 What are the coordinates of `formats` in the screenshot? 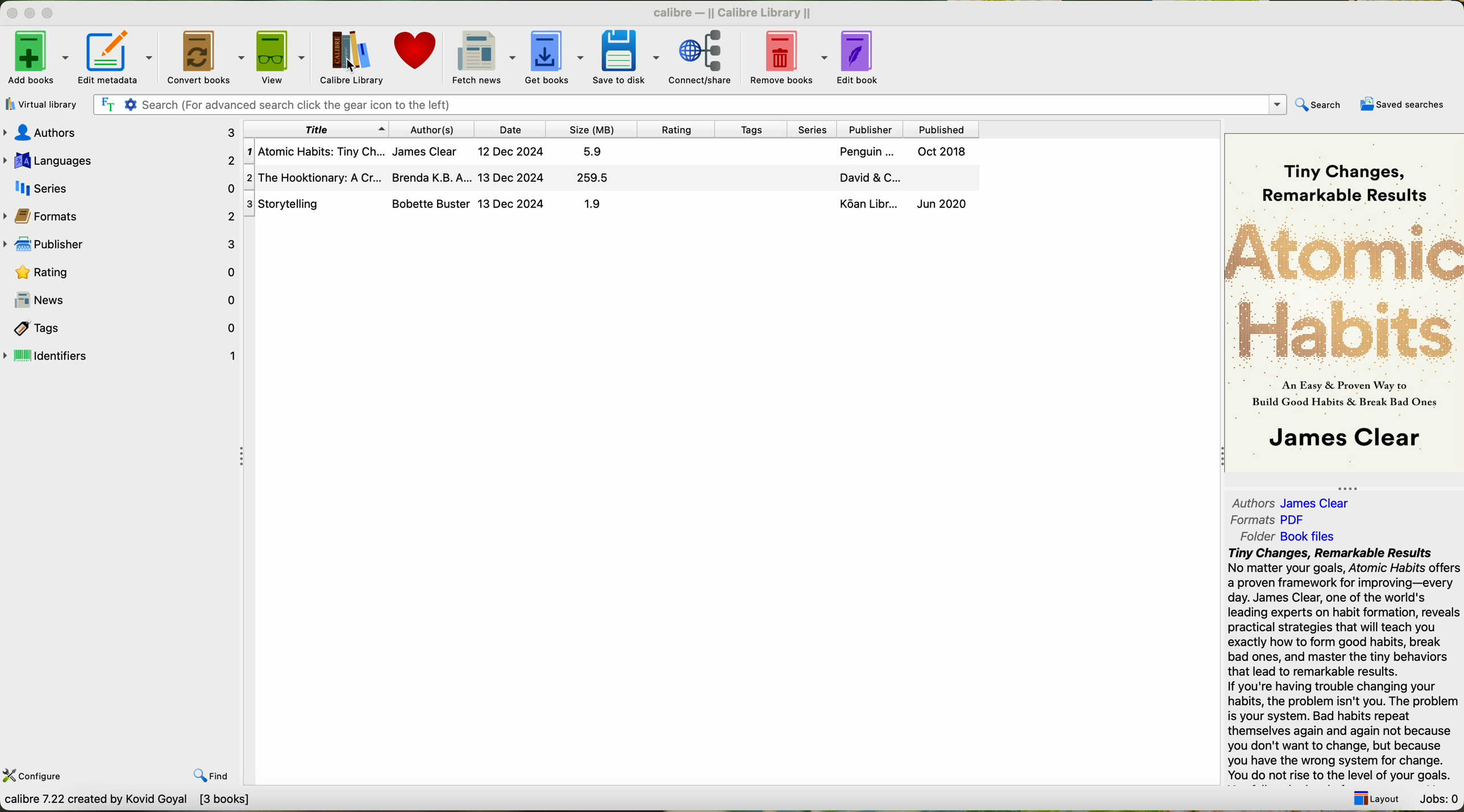 It's located at (122, 216).